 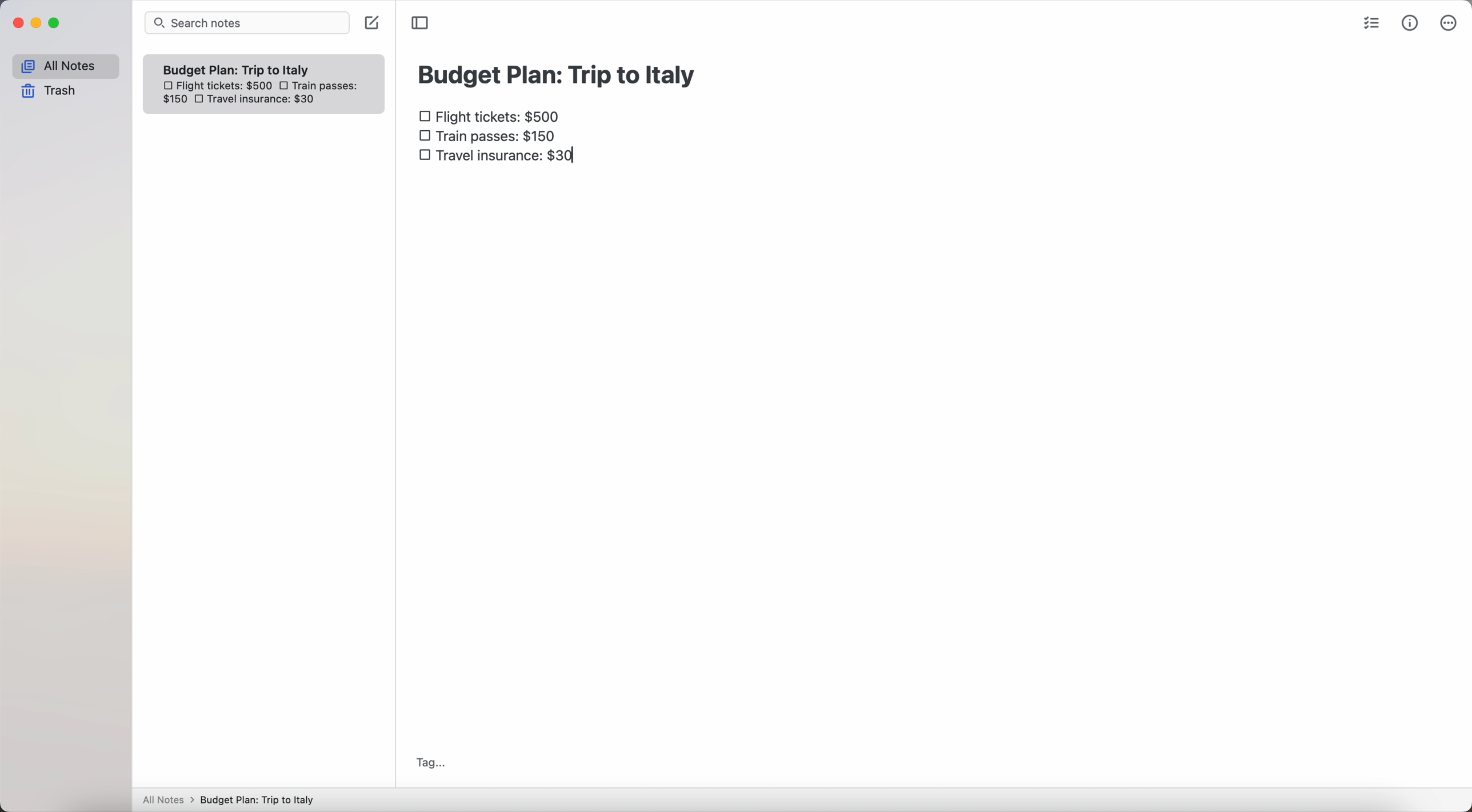 What do you see at coordinates (493, 118) in the screenshot?
I see `flight tickets: $500 checkbox` at bounding box center [493, 118].